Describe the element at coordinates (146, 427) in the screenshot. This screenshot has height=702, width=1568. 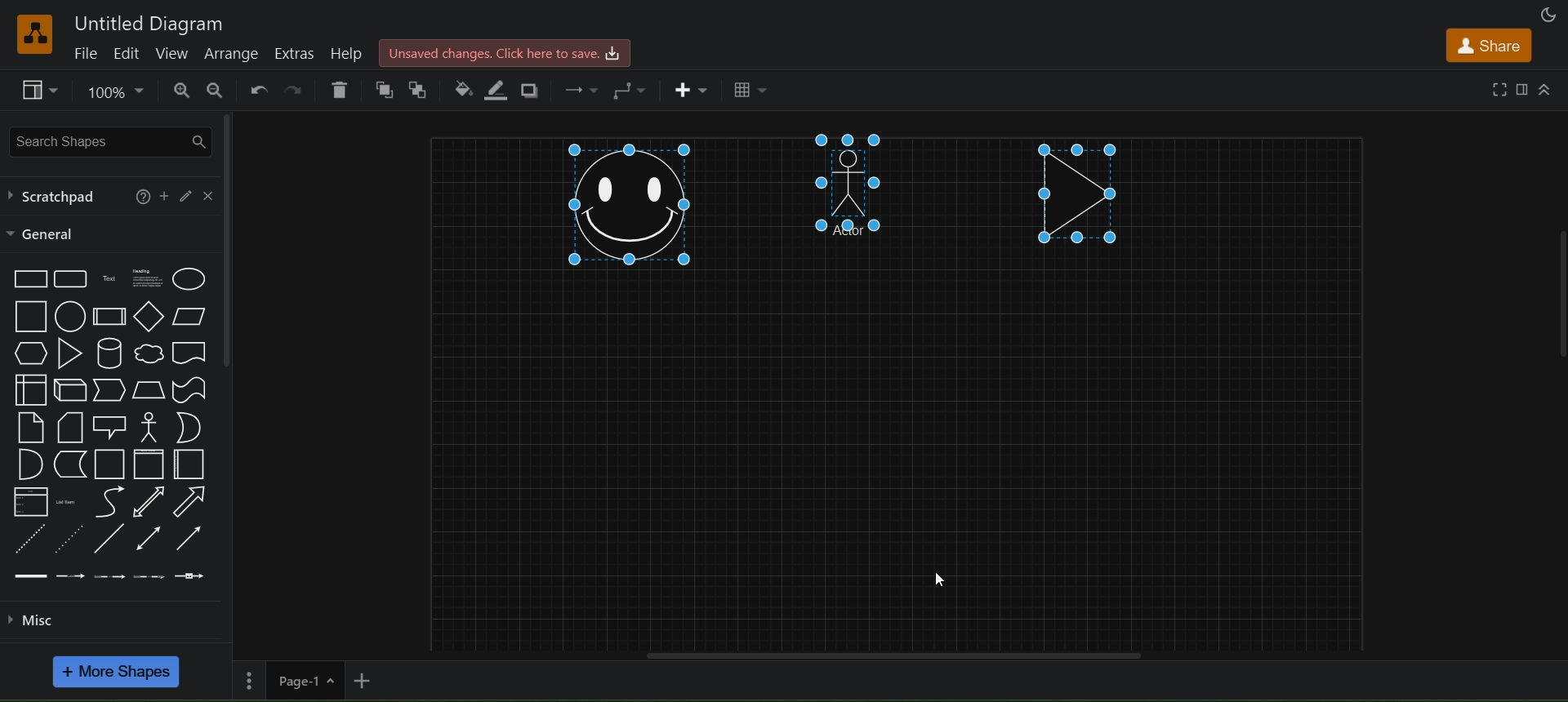
I see `actor` at that location.